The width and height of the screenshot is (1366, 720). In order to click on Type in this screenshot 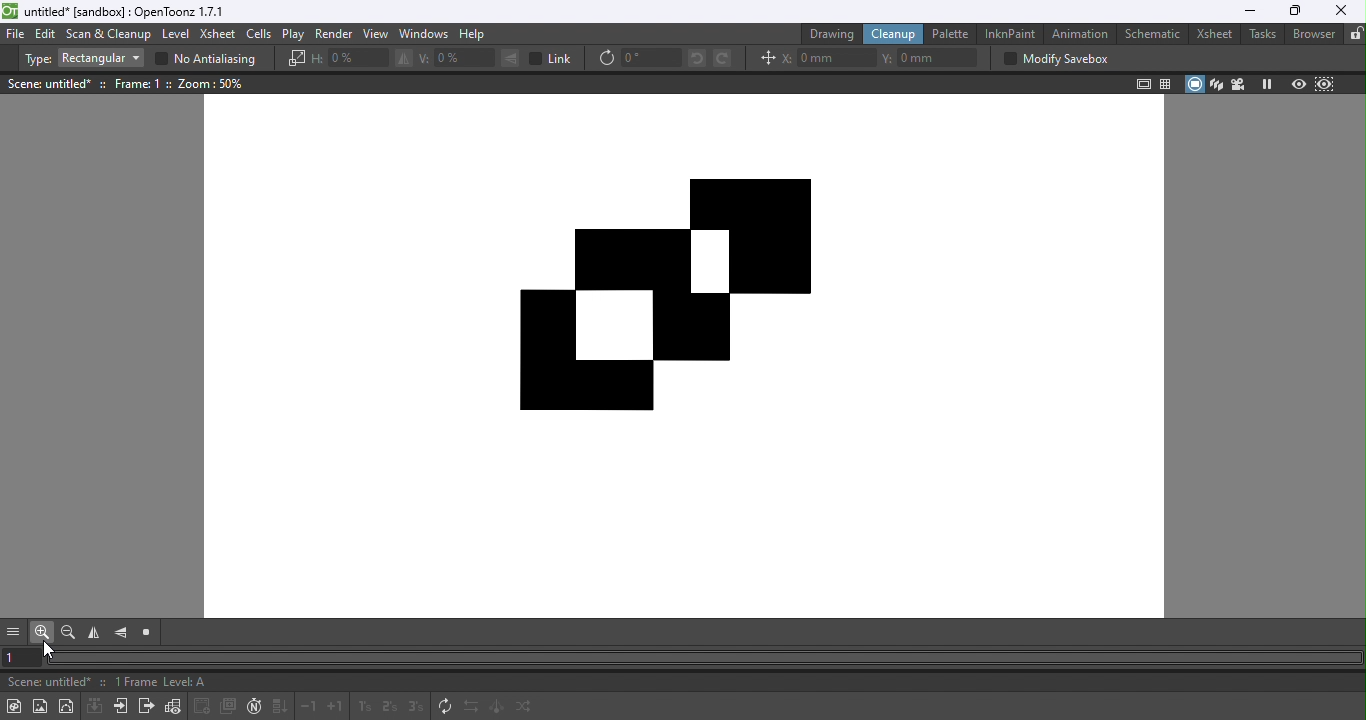, I will do `click(81, 59)`.